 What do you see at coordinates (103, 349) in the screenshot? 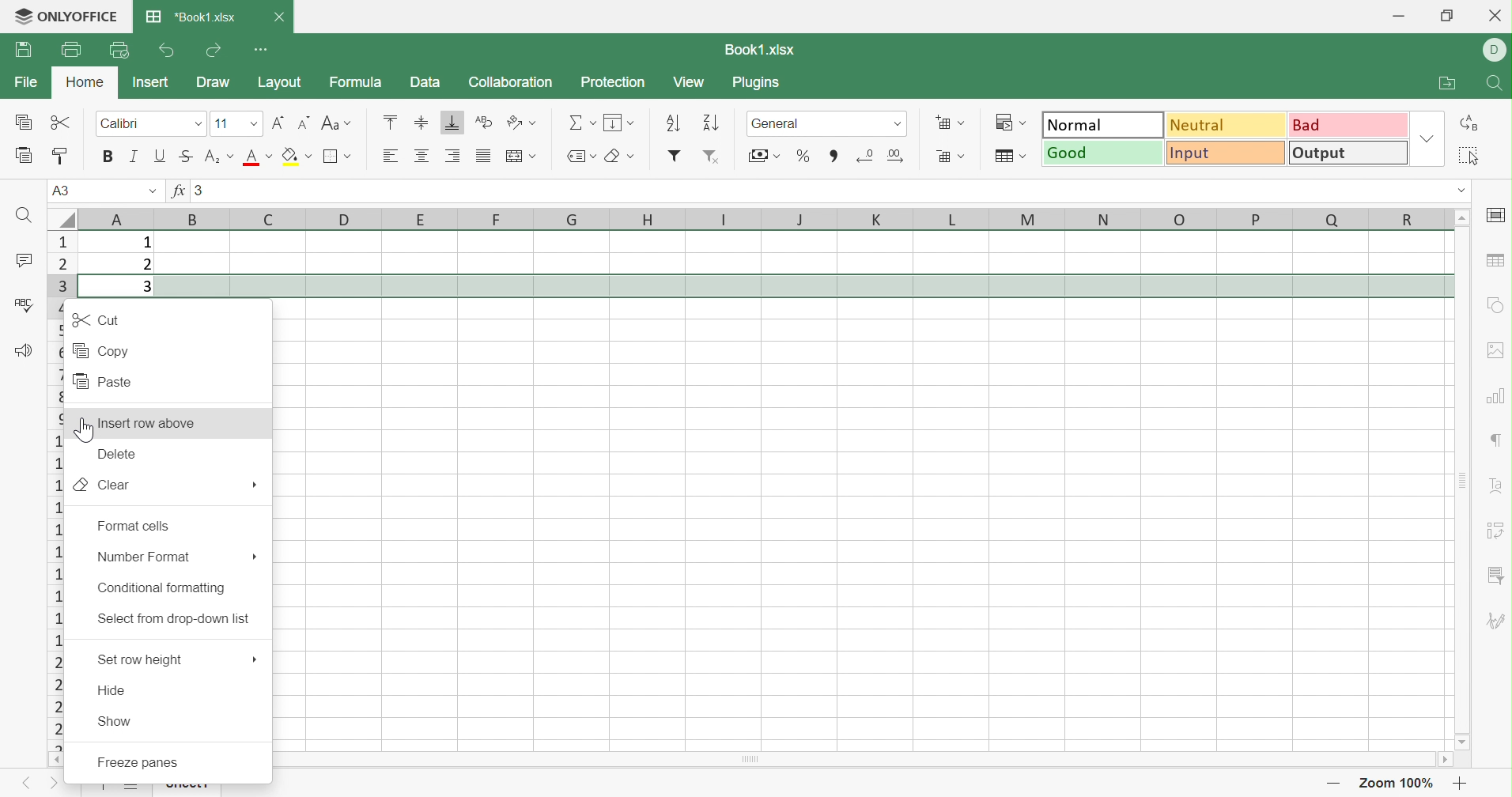
I see `Copy` at bounding box center [103, 349].